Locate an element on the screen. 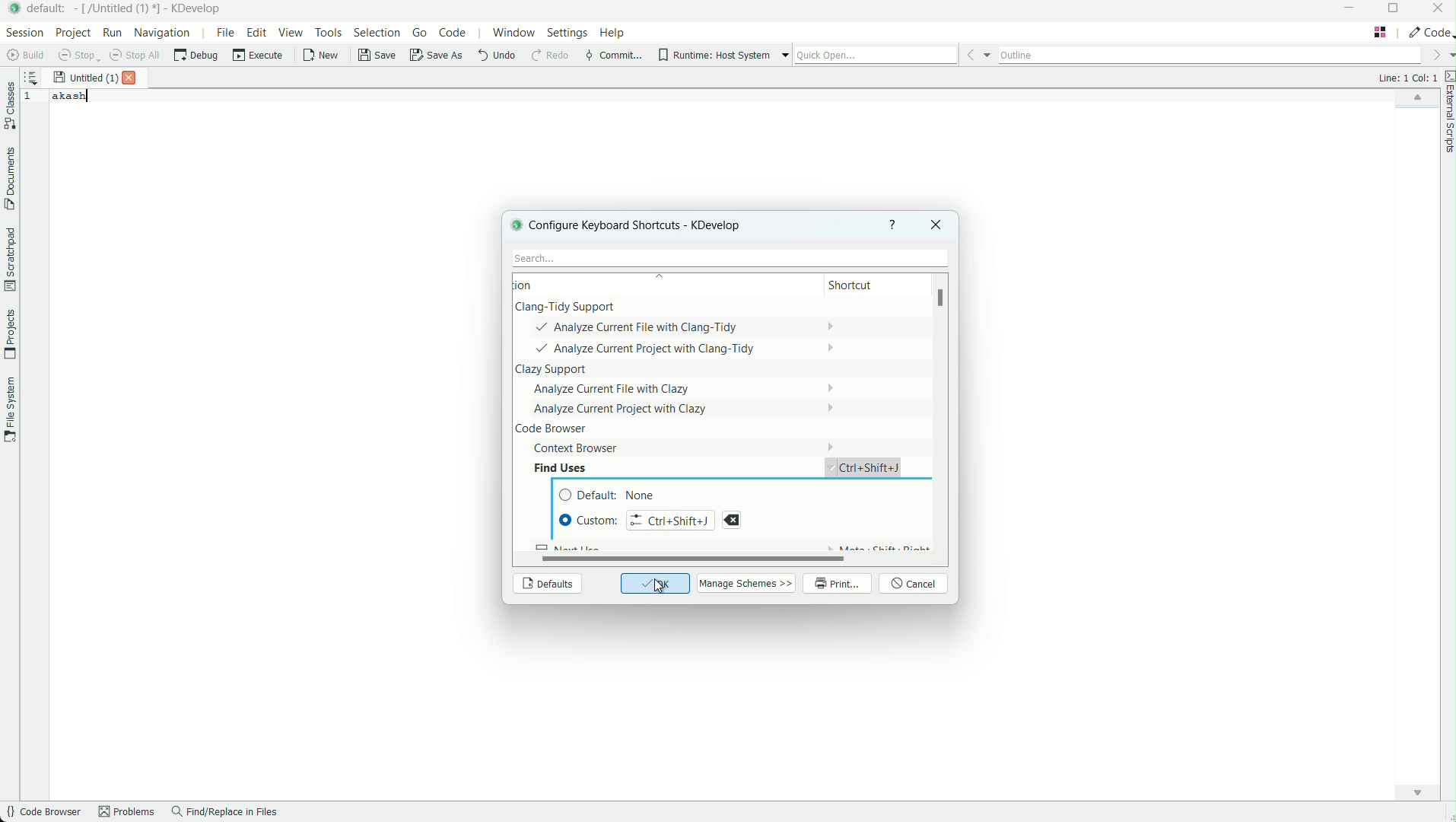 The image size is (1456, 822). file name is located at coordinates (119, 8).